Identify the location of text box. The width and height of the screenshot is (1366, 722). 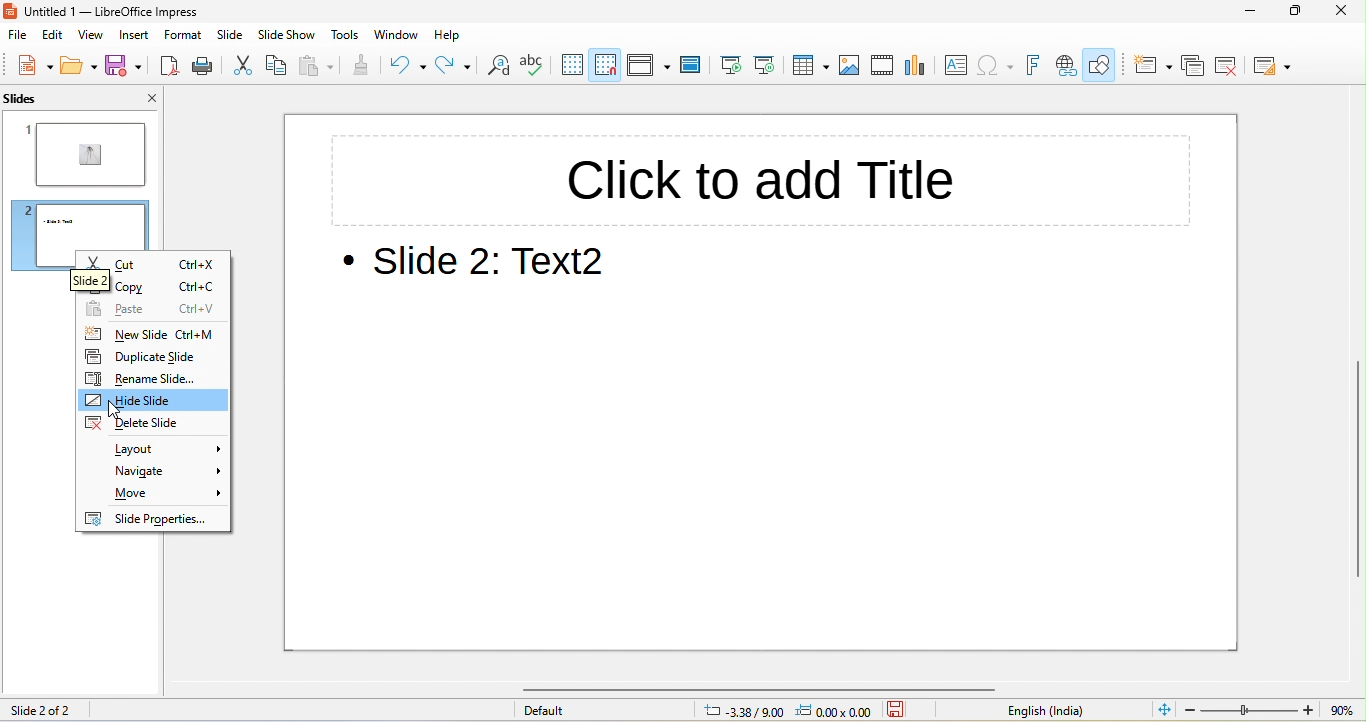
(957, 67).